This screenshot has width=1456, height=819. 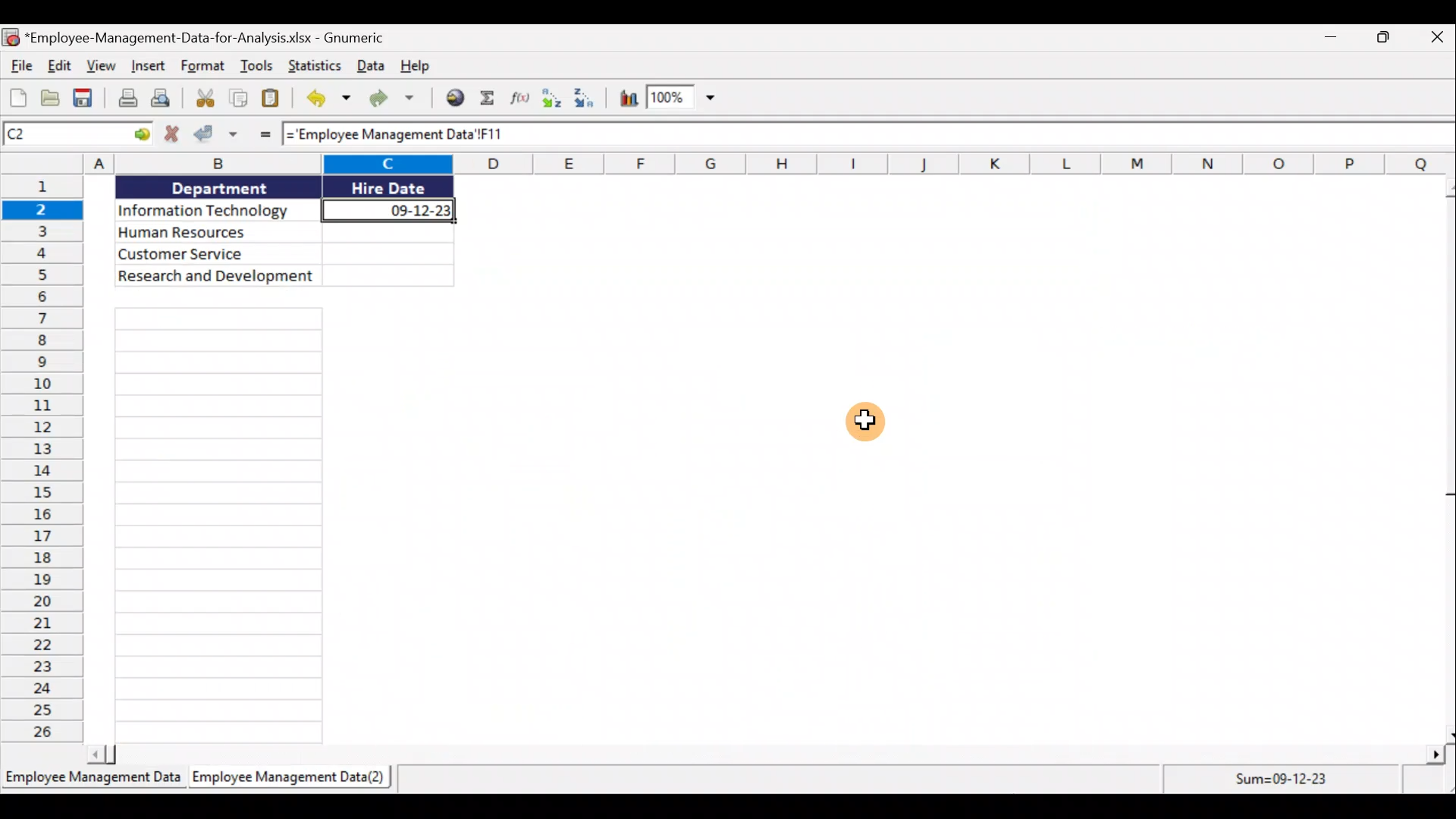 I want to click on Cursor, so click(x=863, y=421).